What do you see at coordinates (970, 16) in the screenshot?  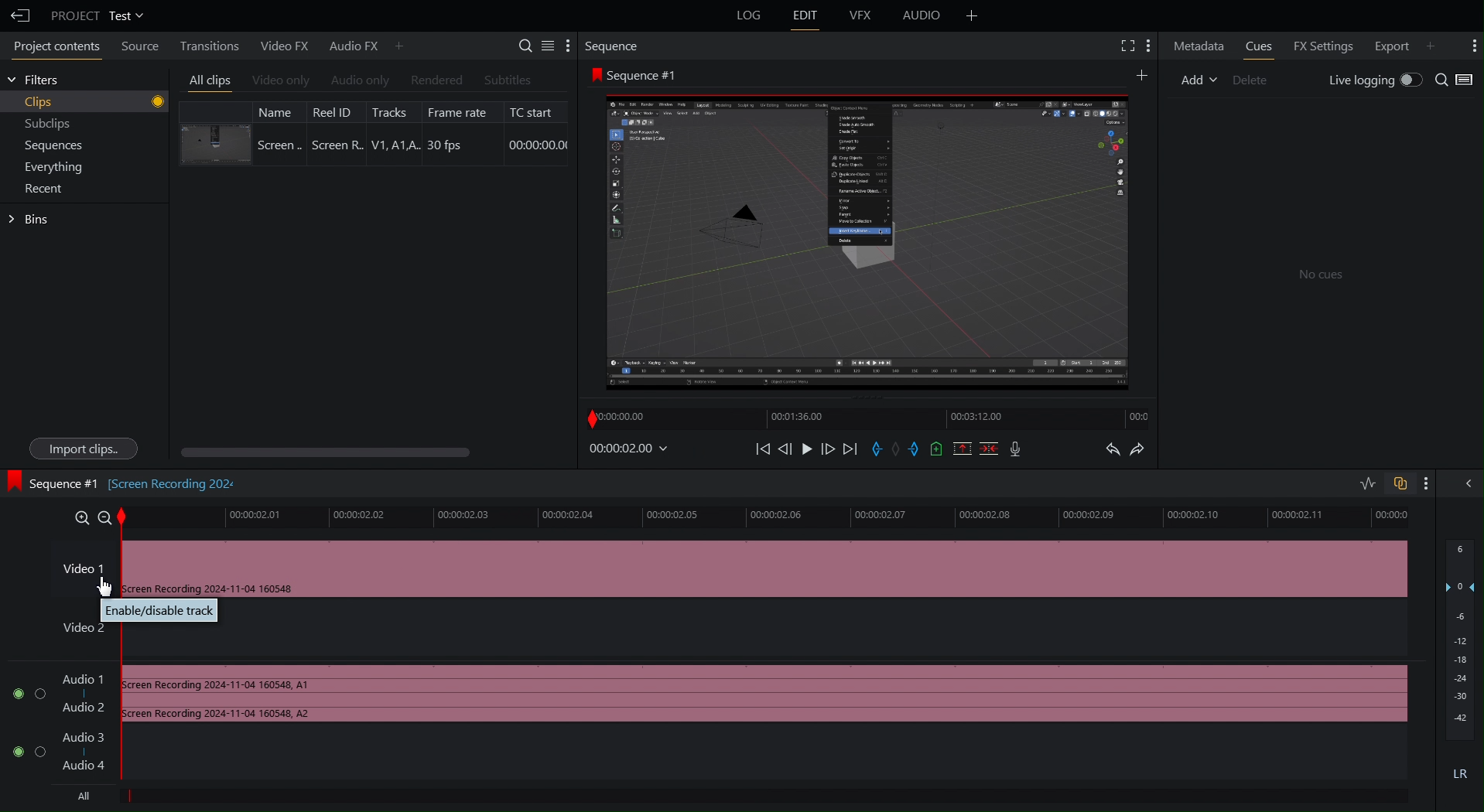 I see `Add` at bounding box center [970, 16].